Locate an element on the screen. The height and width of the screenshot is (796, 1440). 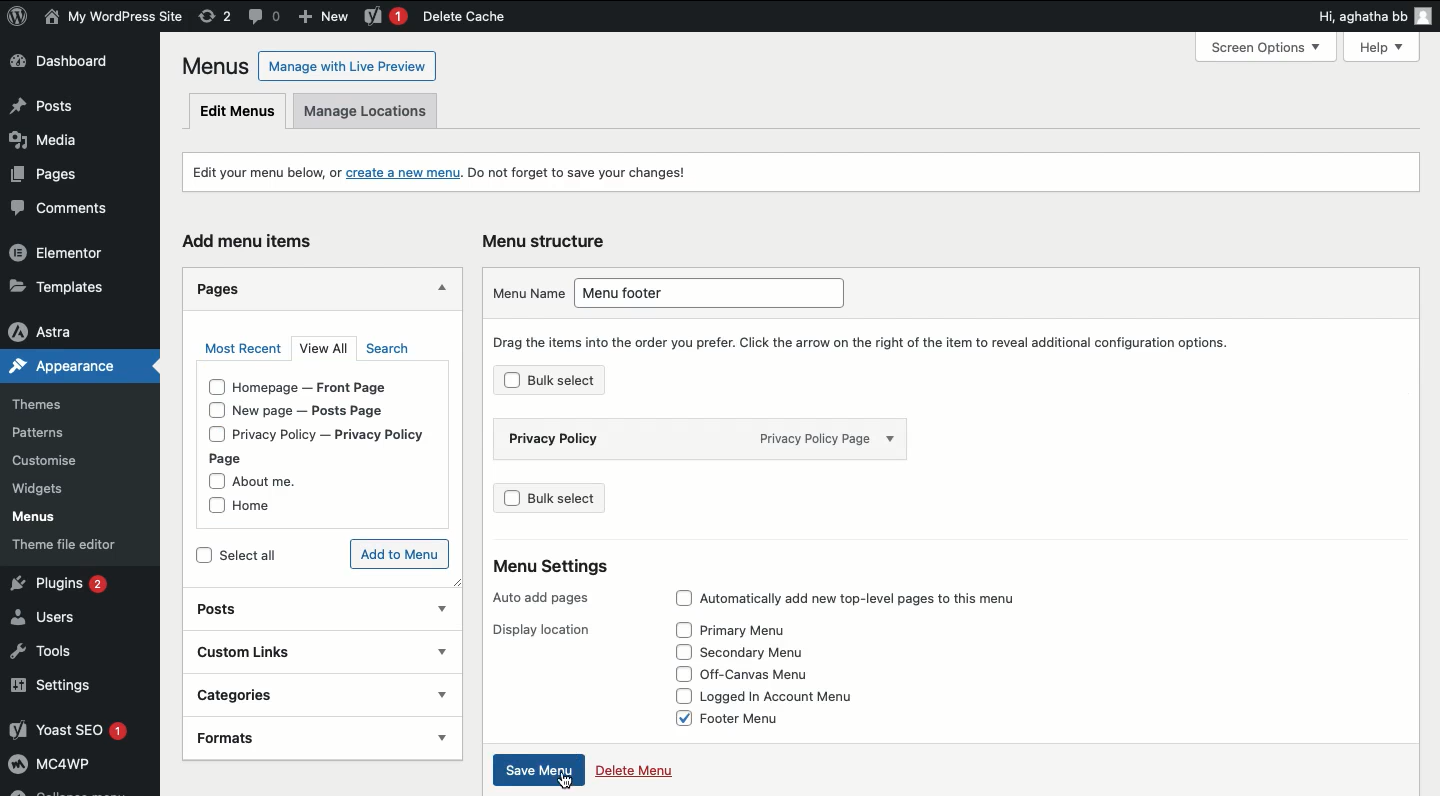
Delete Menu is located at coordinates (651, 766).